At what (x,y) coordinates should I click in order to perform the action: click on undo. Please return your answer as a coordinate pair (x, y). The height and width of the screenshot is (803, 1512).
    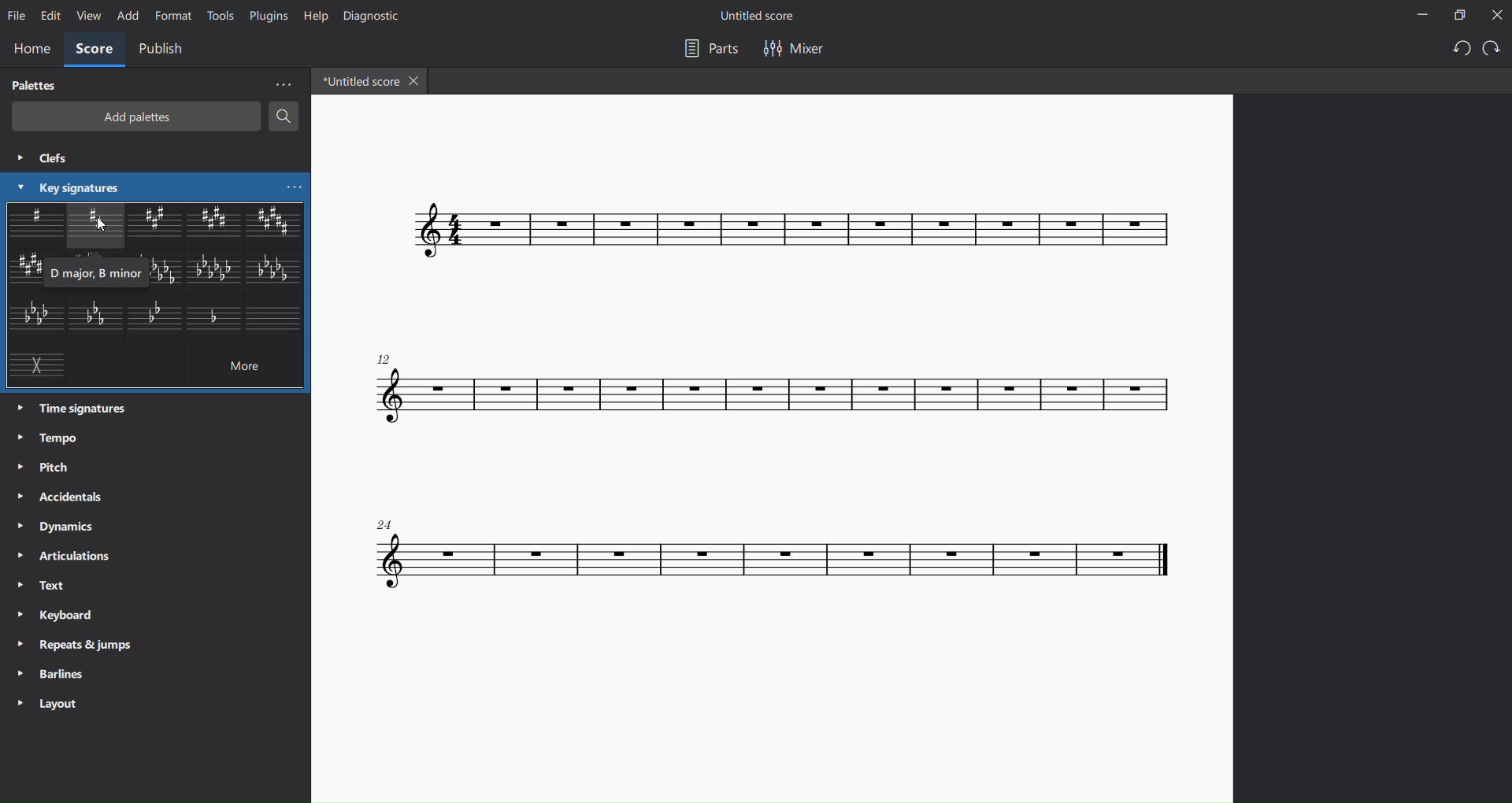
    Looking at the image, I should click on (1458, 50).